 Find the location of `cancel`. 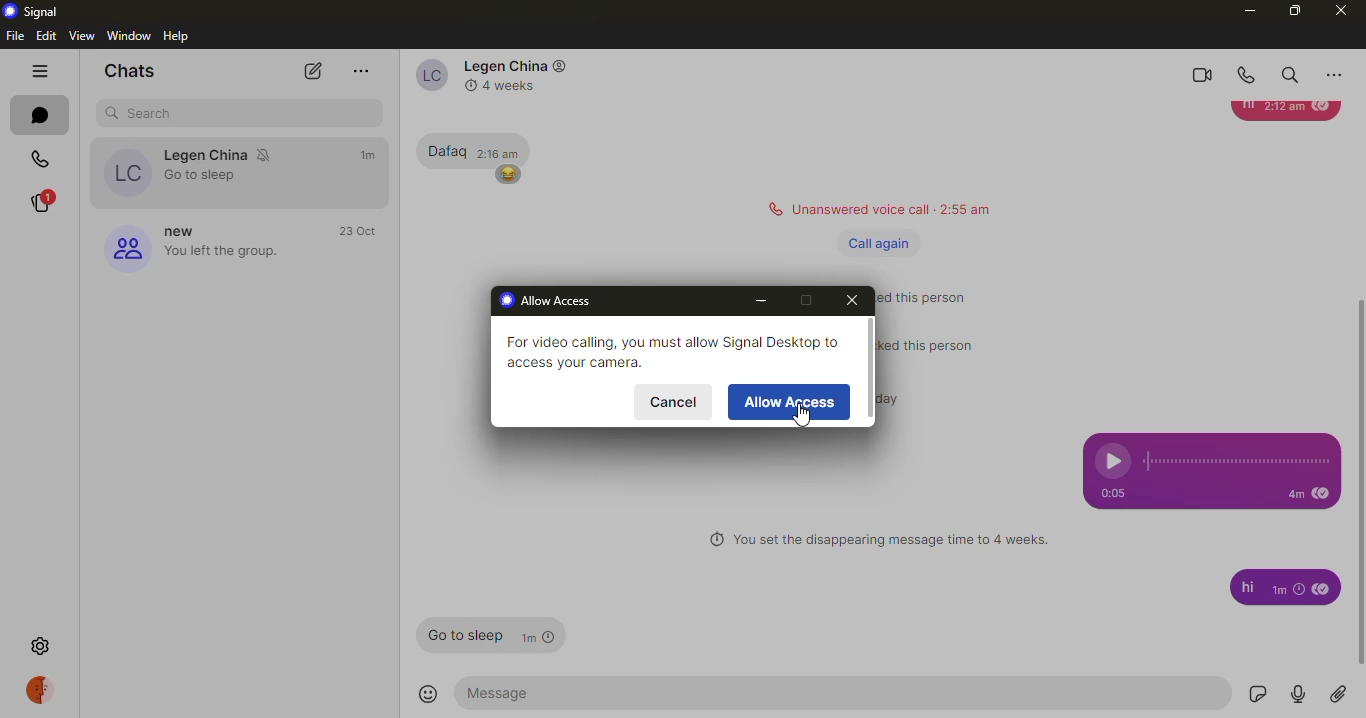

cancel is located at coordinates (673, 401).